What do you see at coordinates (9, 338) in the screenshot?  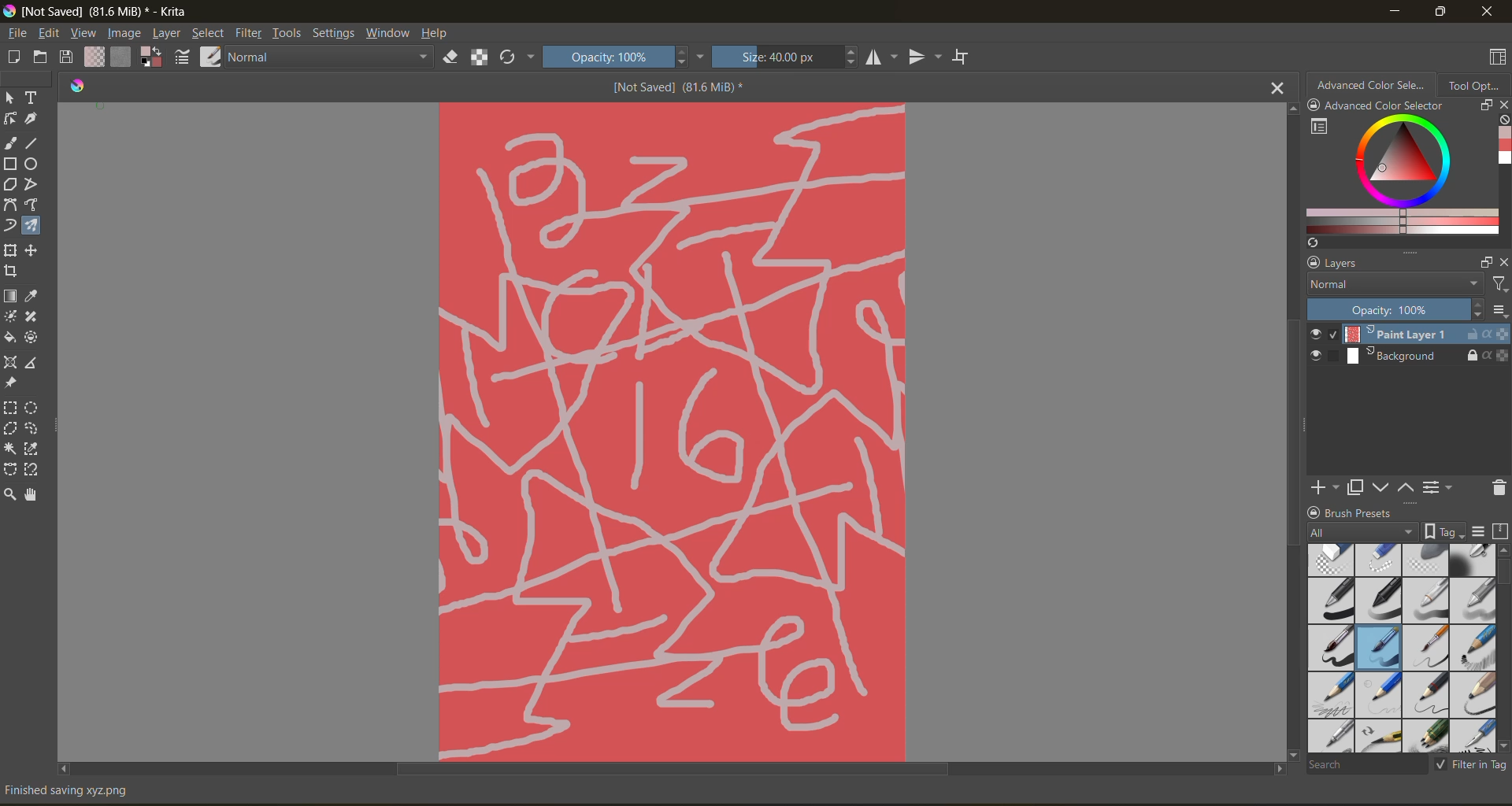 I see `tool` at bounding box center [9, 338].